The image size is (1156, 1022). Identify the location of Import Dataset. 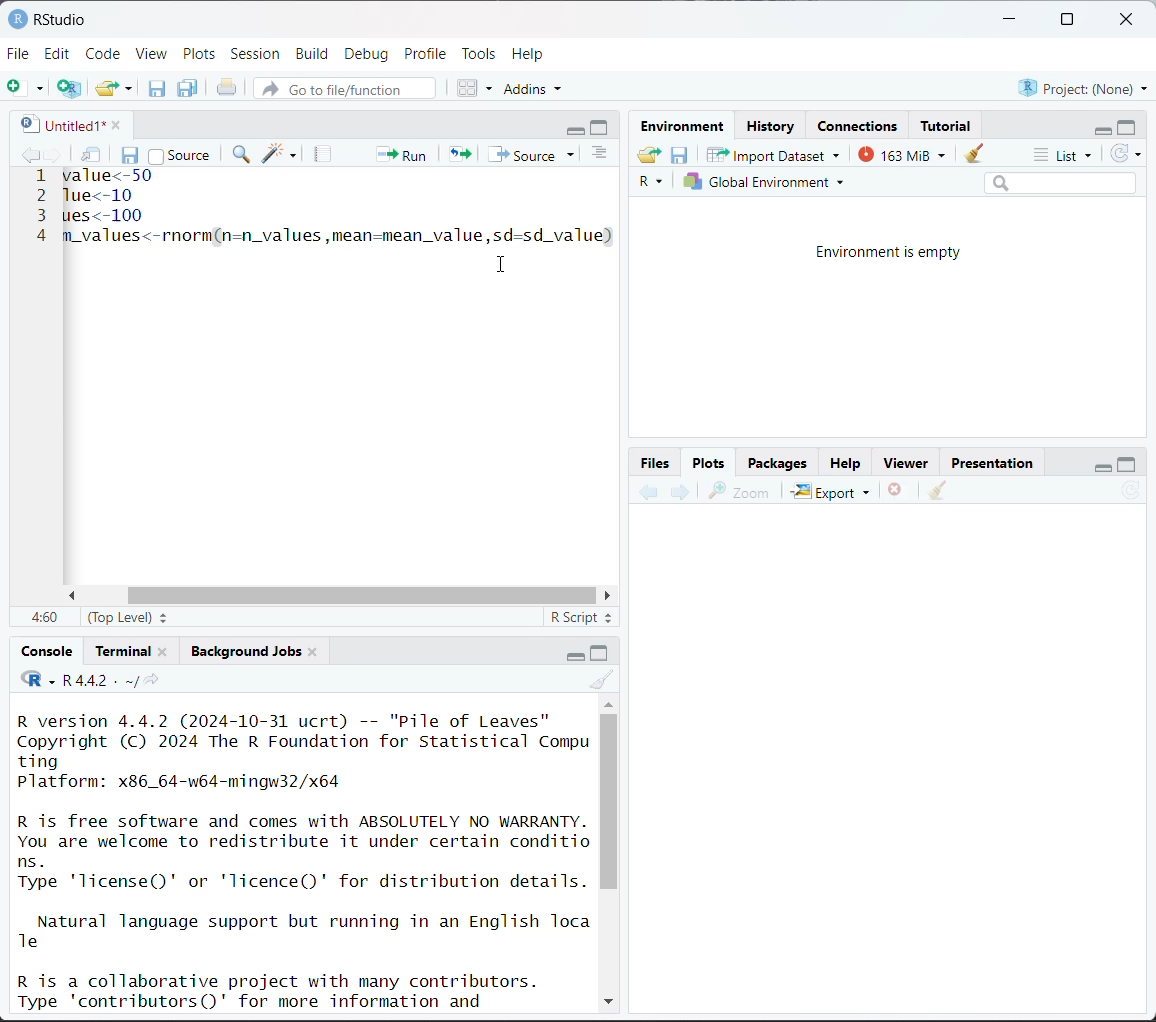
(774, 154).